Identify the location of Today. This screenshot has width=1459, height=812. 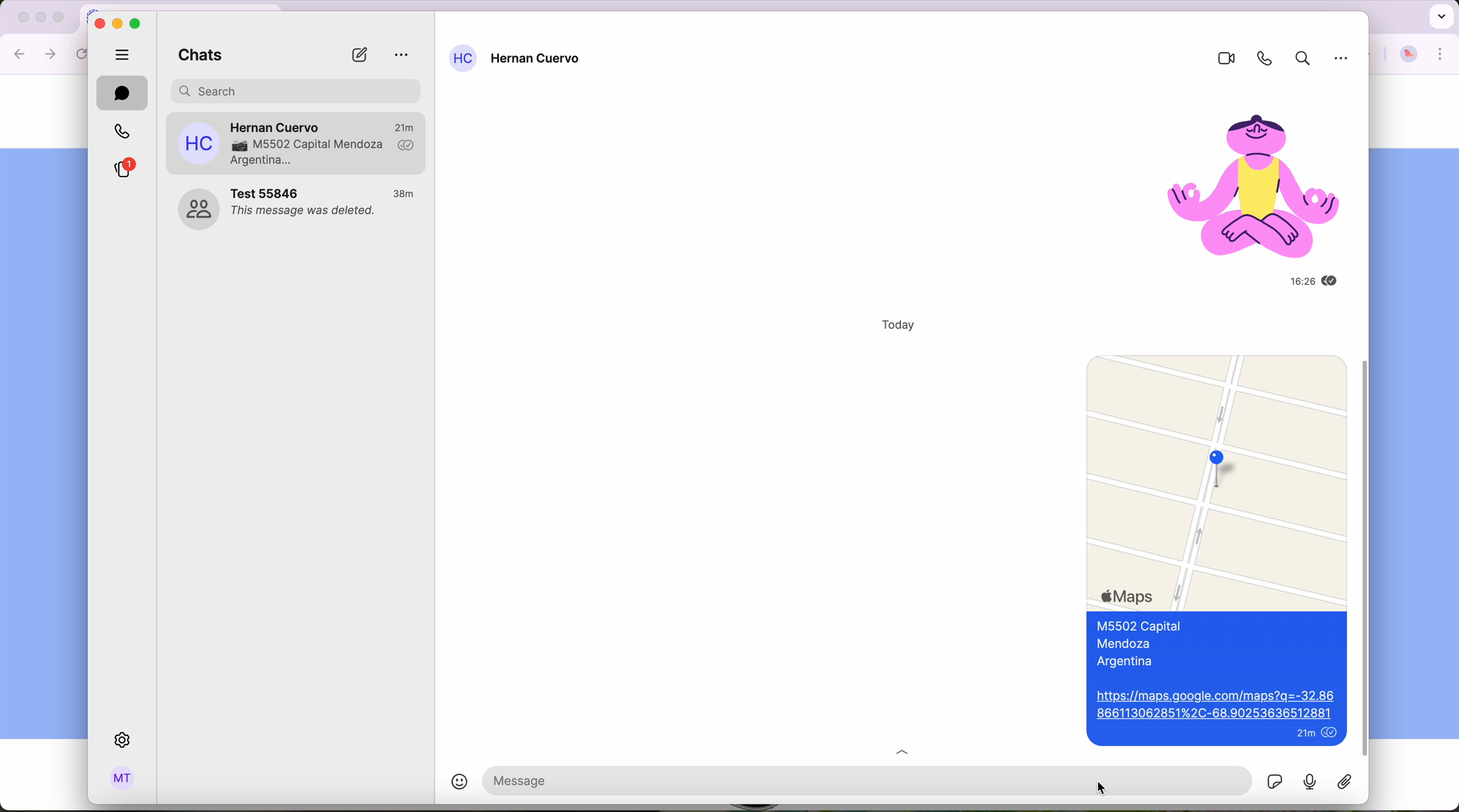
(890, 325).